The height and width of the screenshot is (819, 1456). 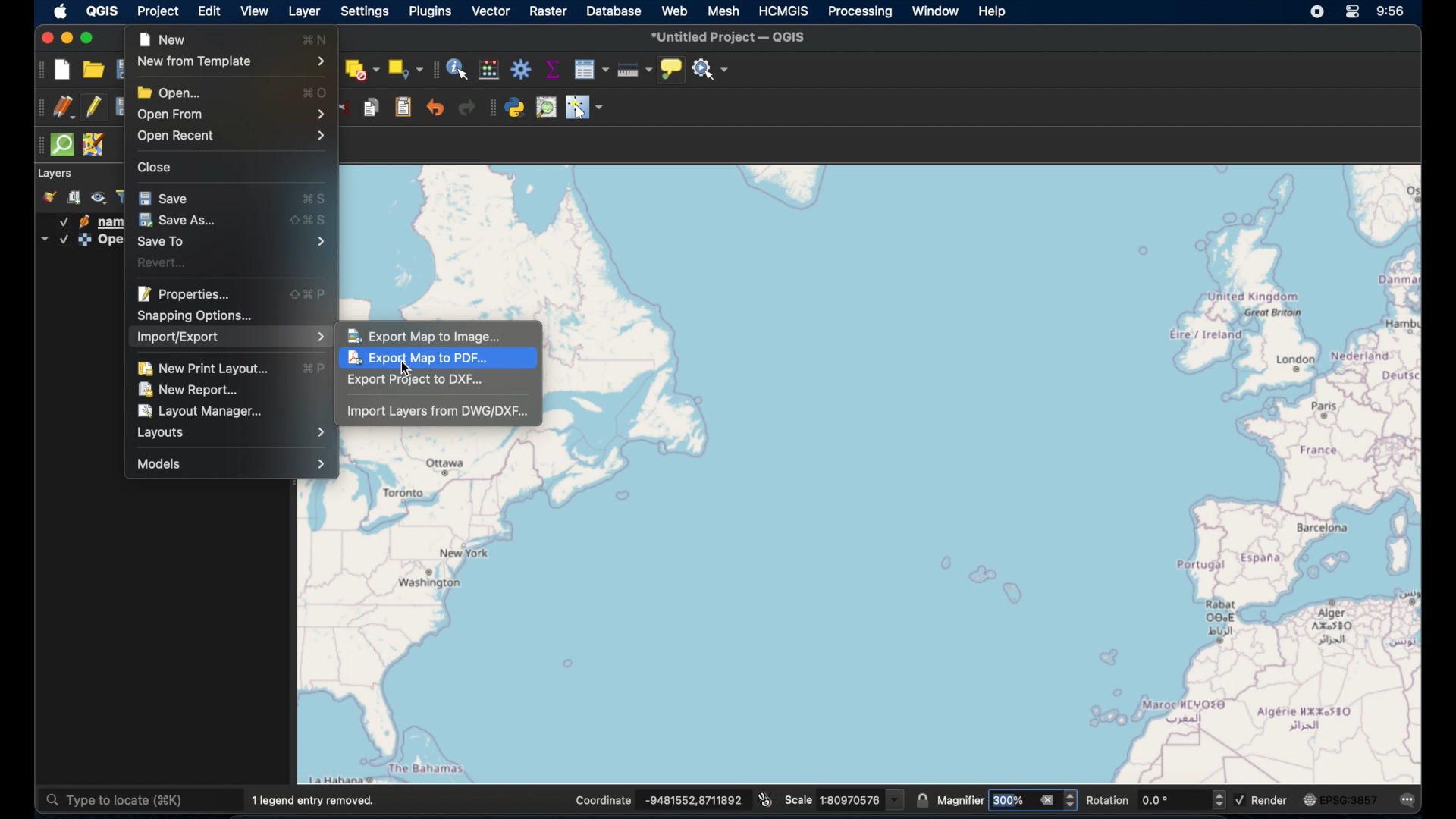 I want to click on time, so click(x=1393, y=13).